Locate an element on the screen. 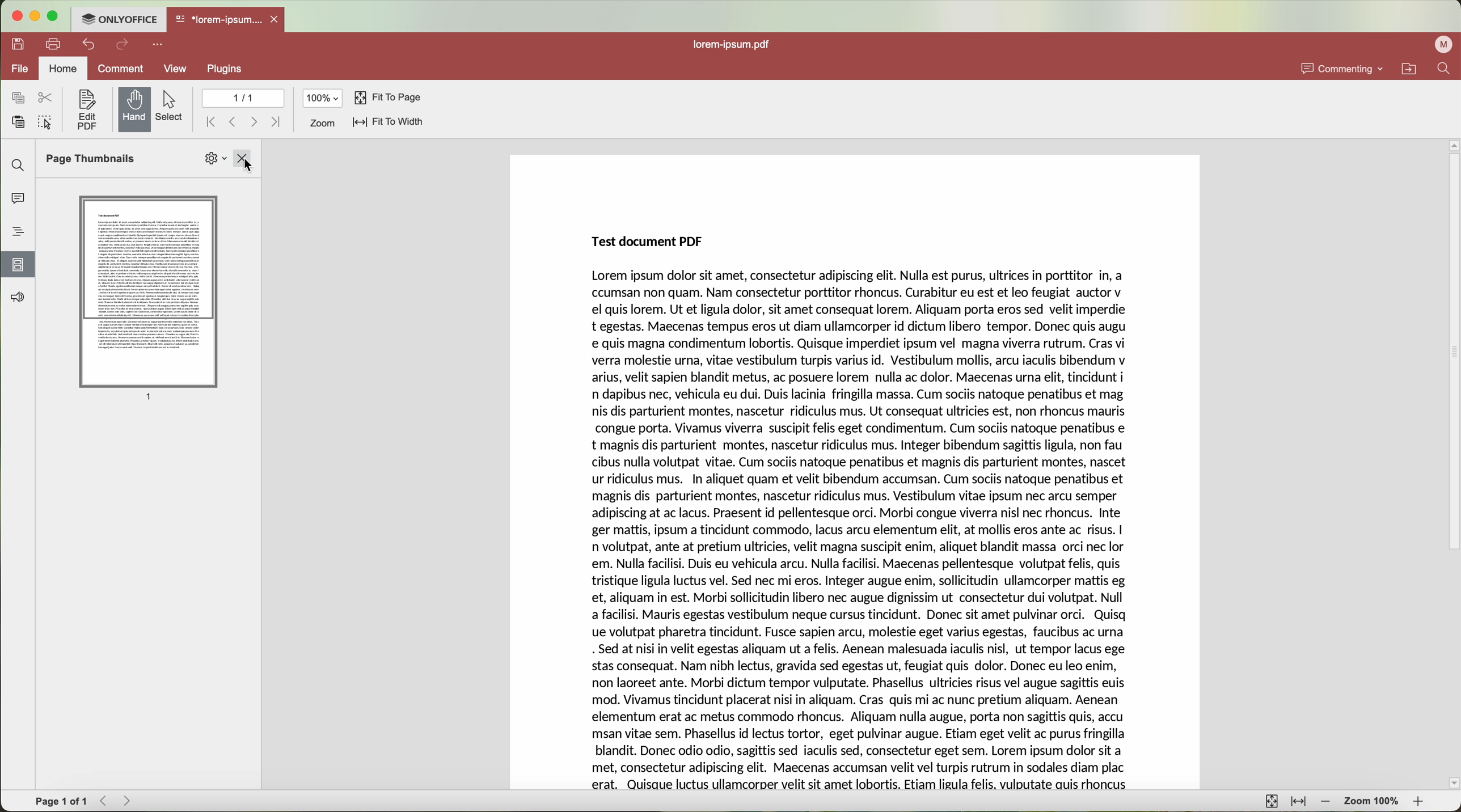  view is located at coordinates (176, 68).